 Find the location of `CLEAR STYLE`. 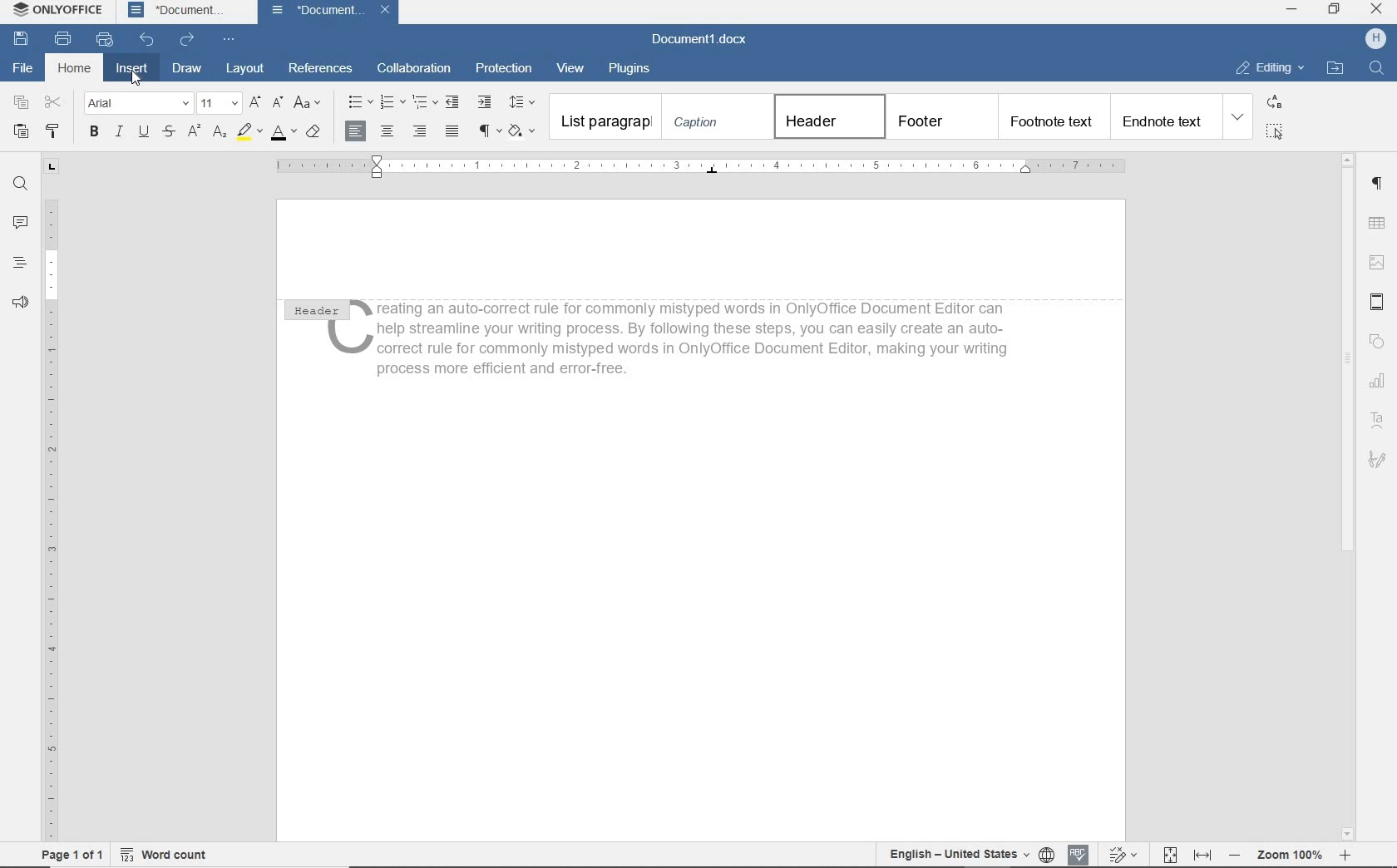

CLEAR STYLE is located at coordinates (313, 133).